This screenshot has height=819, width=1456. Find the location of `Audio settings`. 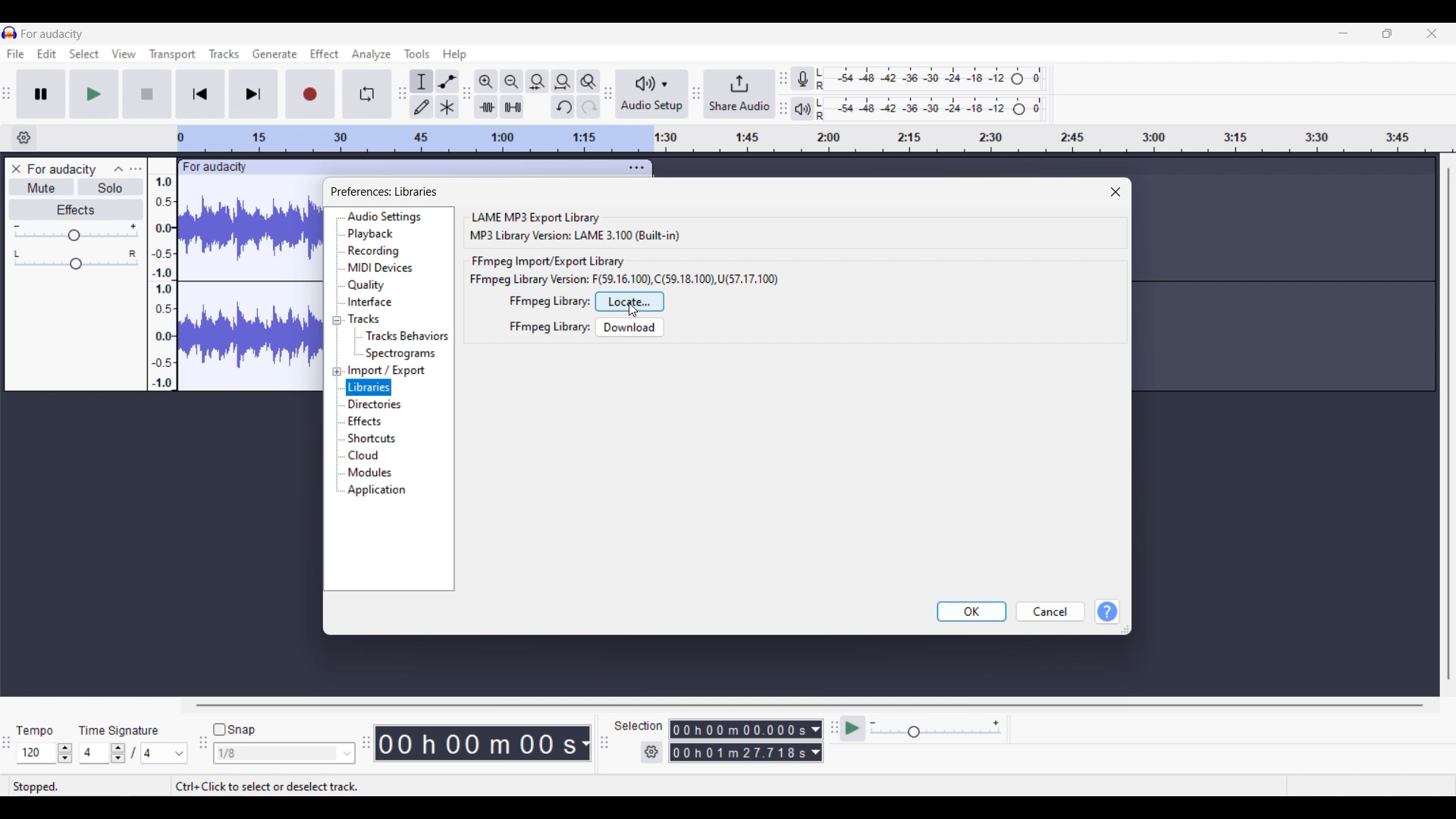

Audio settings is located at coordinates (385, 217).